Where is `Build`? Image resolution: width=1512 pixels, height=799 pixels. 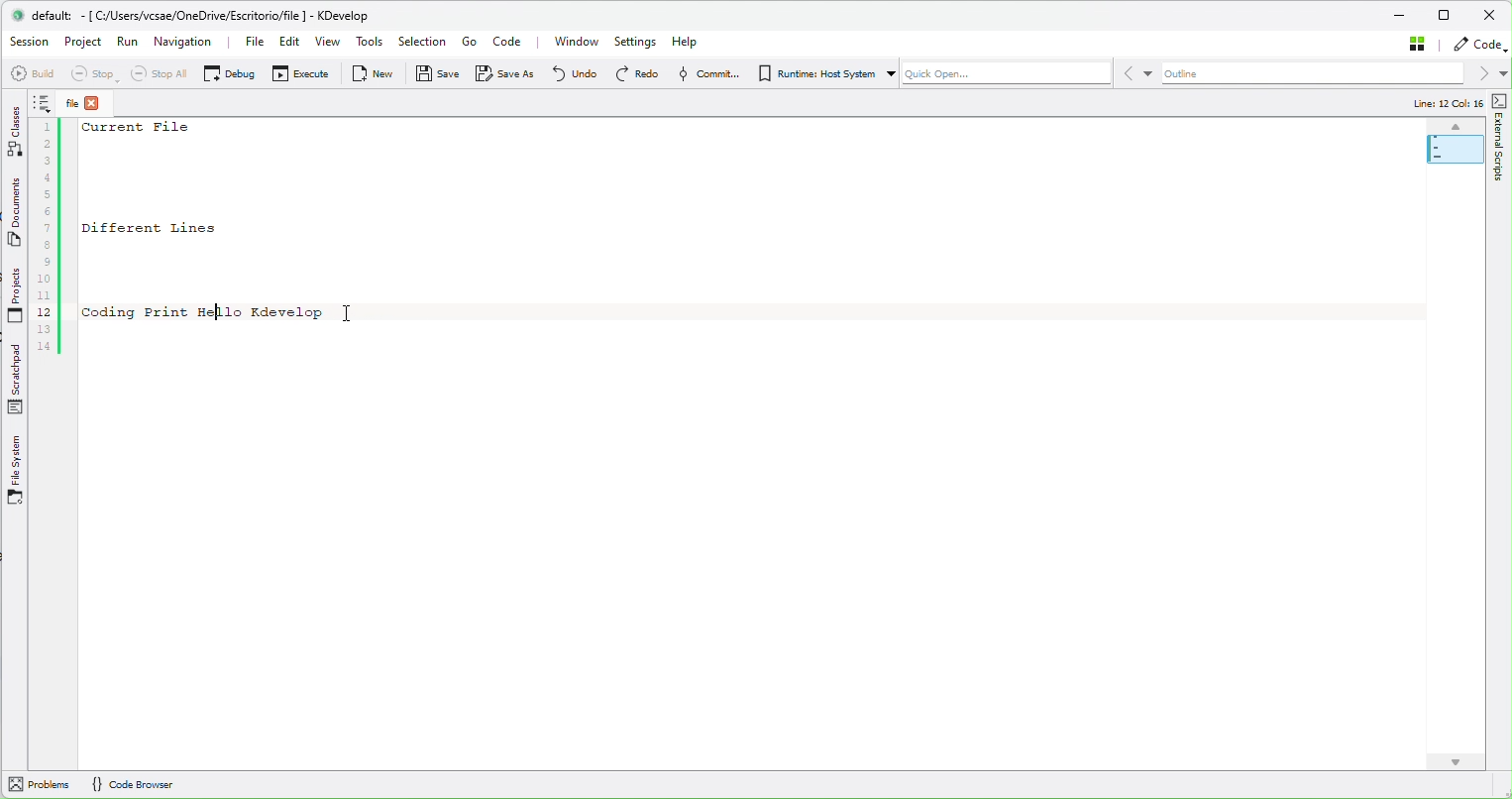 Build is located at coordinates (32, 72).